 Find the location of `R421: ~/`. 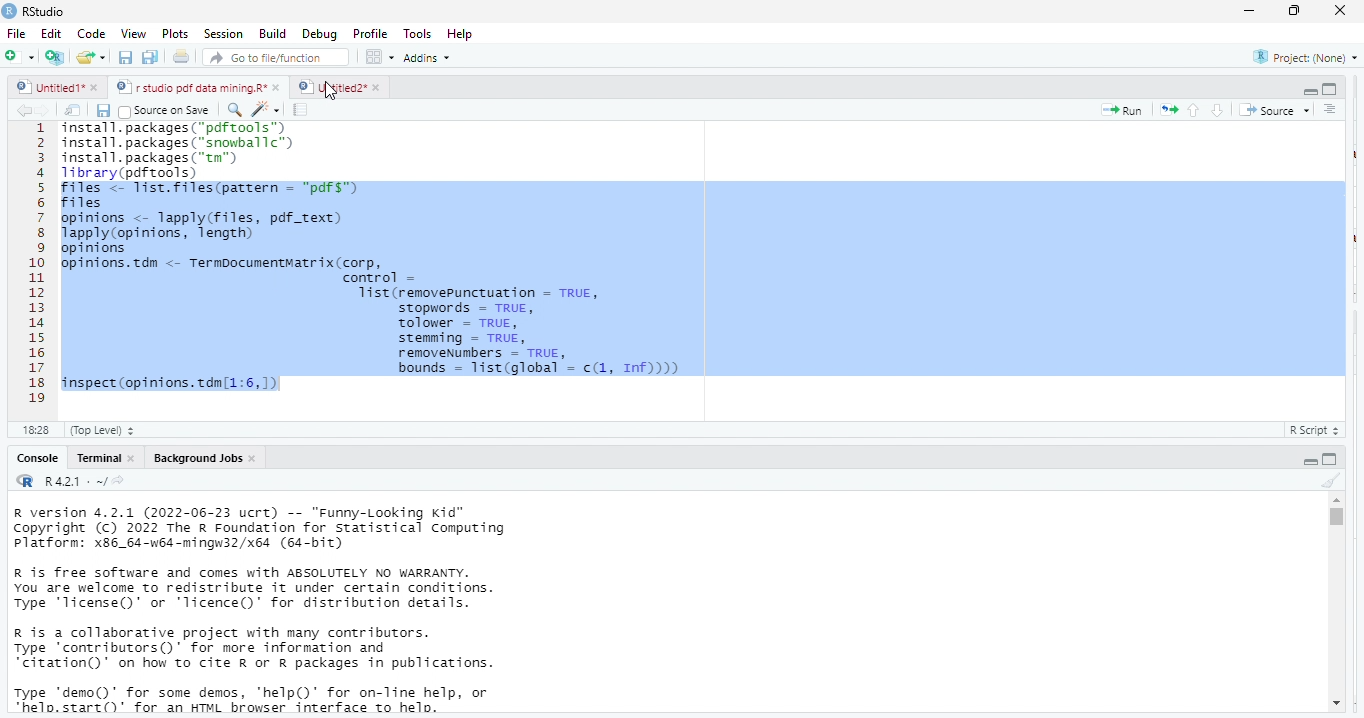

R421: ~/ is located at coordinates (84, 482).